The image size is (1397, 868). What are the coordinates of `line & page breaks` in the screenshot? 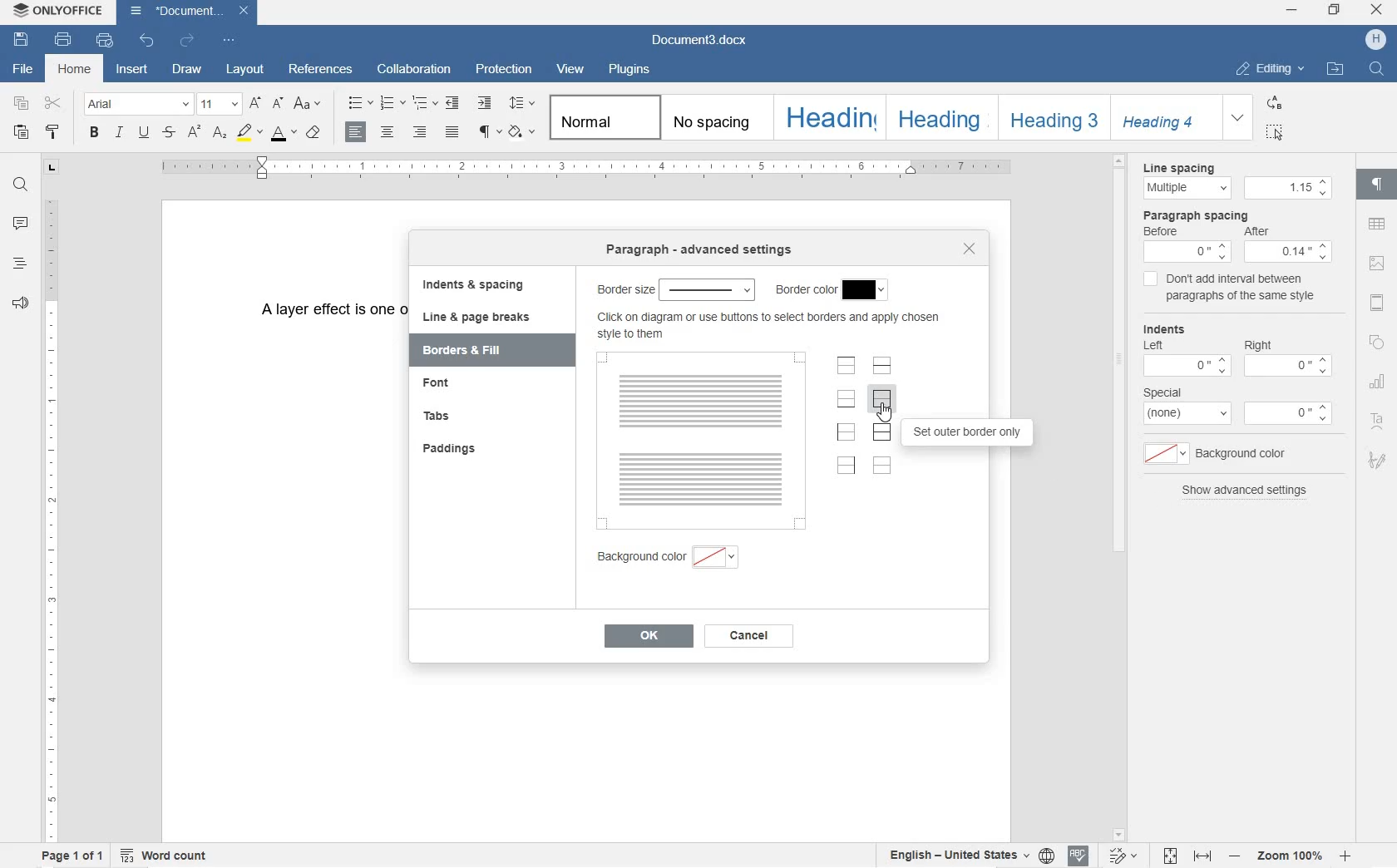 It's located at (488, 317).